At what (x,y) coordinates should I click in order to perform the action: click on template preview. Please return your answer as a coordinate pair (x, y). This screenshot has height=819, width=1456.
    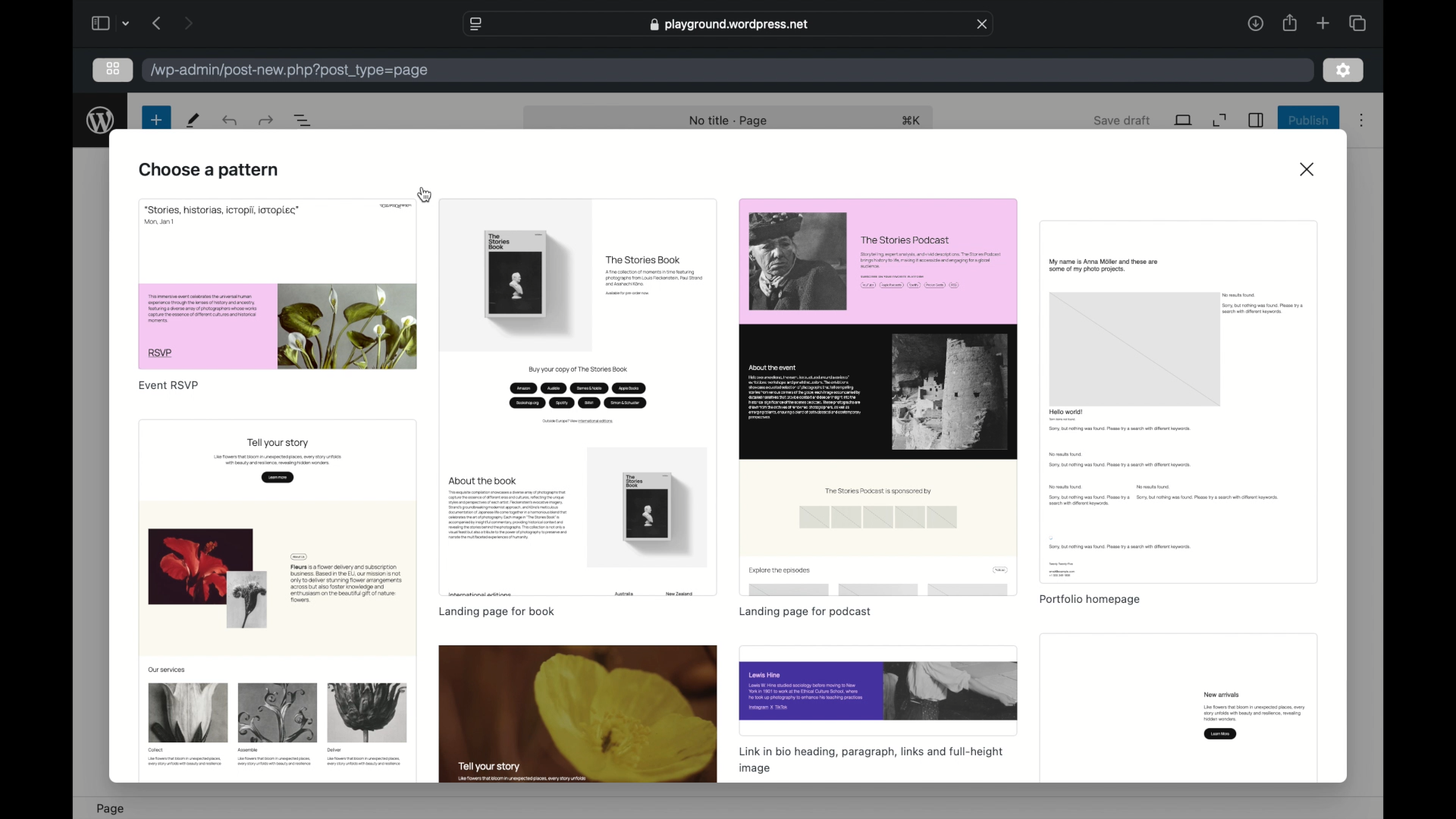
    Looking at the image, I should click on (579, 397).